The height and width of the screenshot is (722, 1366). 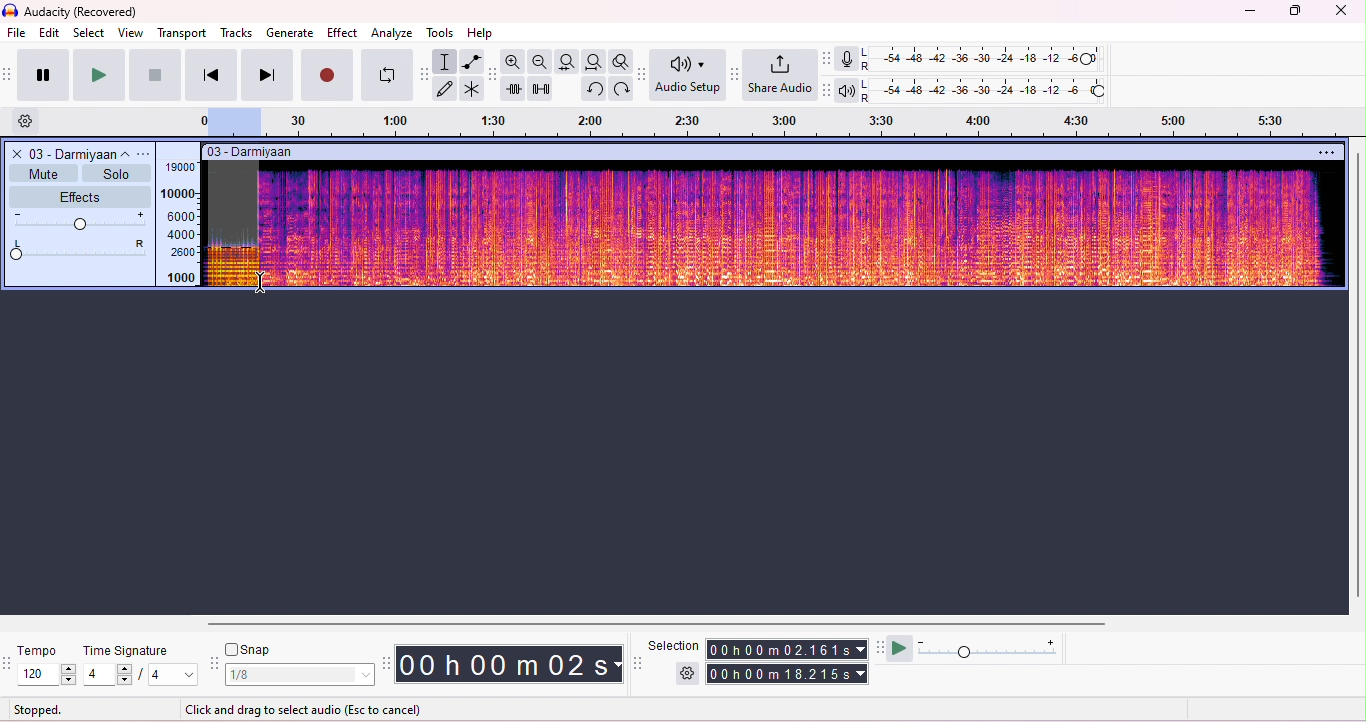 I want to click on close track, so click(x=15, y=153).